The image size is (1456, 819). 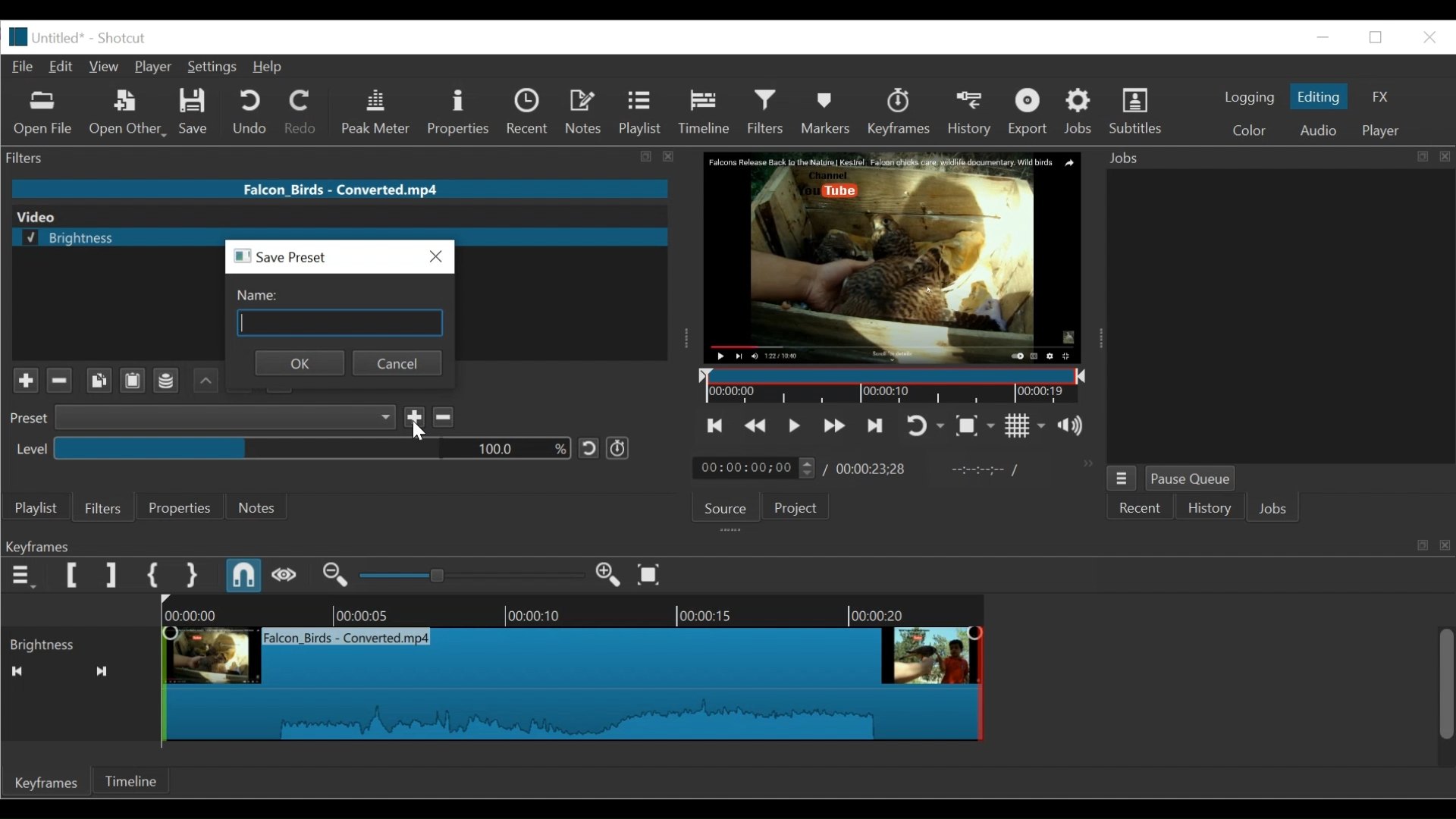 I want to click on Delete, so click(x=444, y=417).